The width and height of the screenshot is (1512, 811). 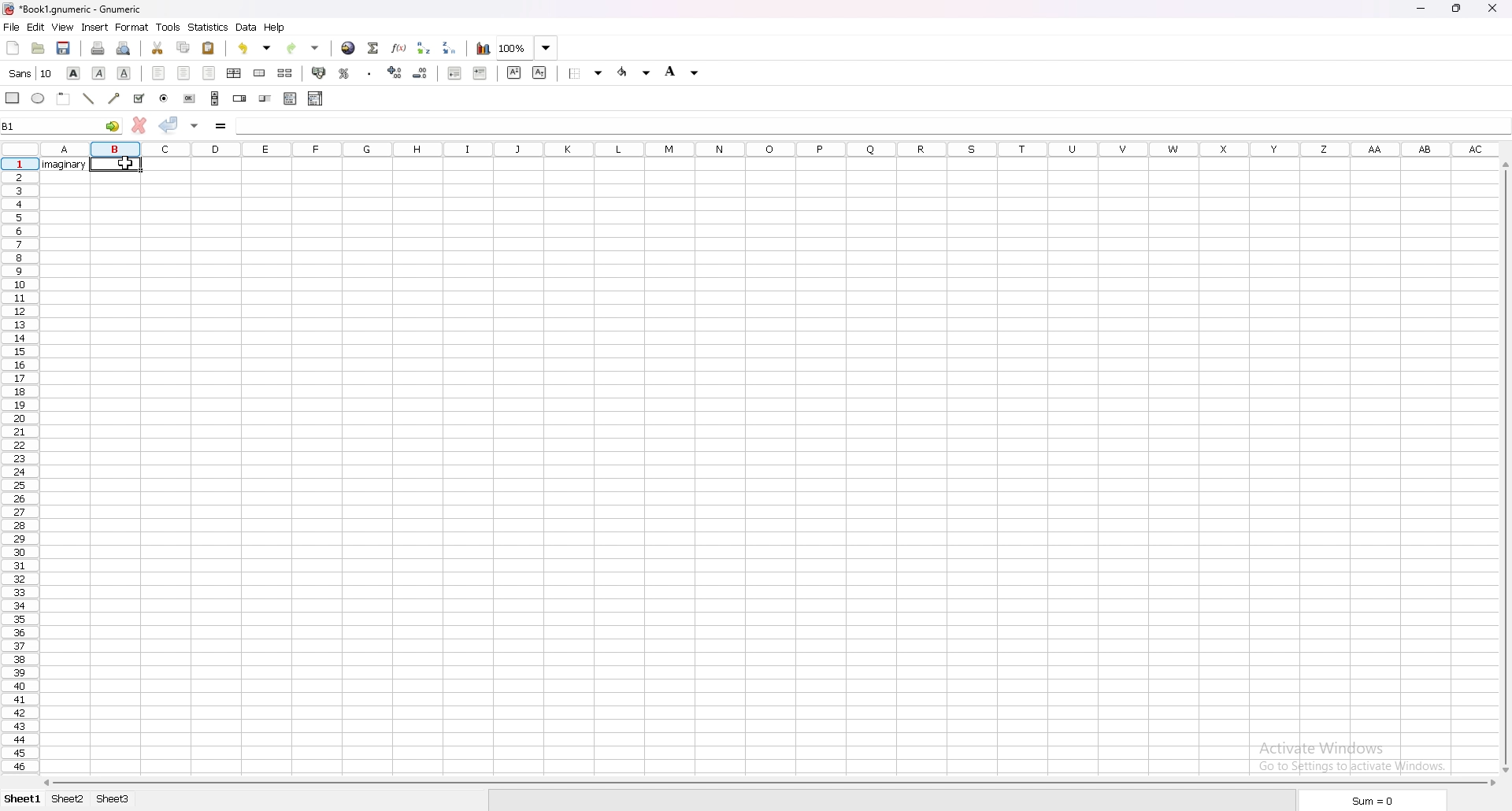 I want to click on increase decimals, so click(x=395, y=72).